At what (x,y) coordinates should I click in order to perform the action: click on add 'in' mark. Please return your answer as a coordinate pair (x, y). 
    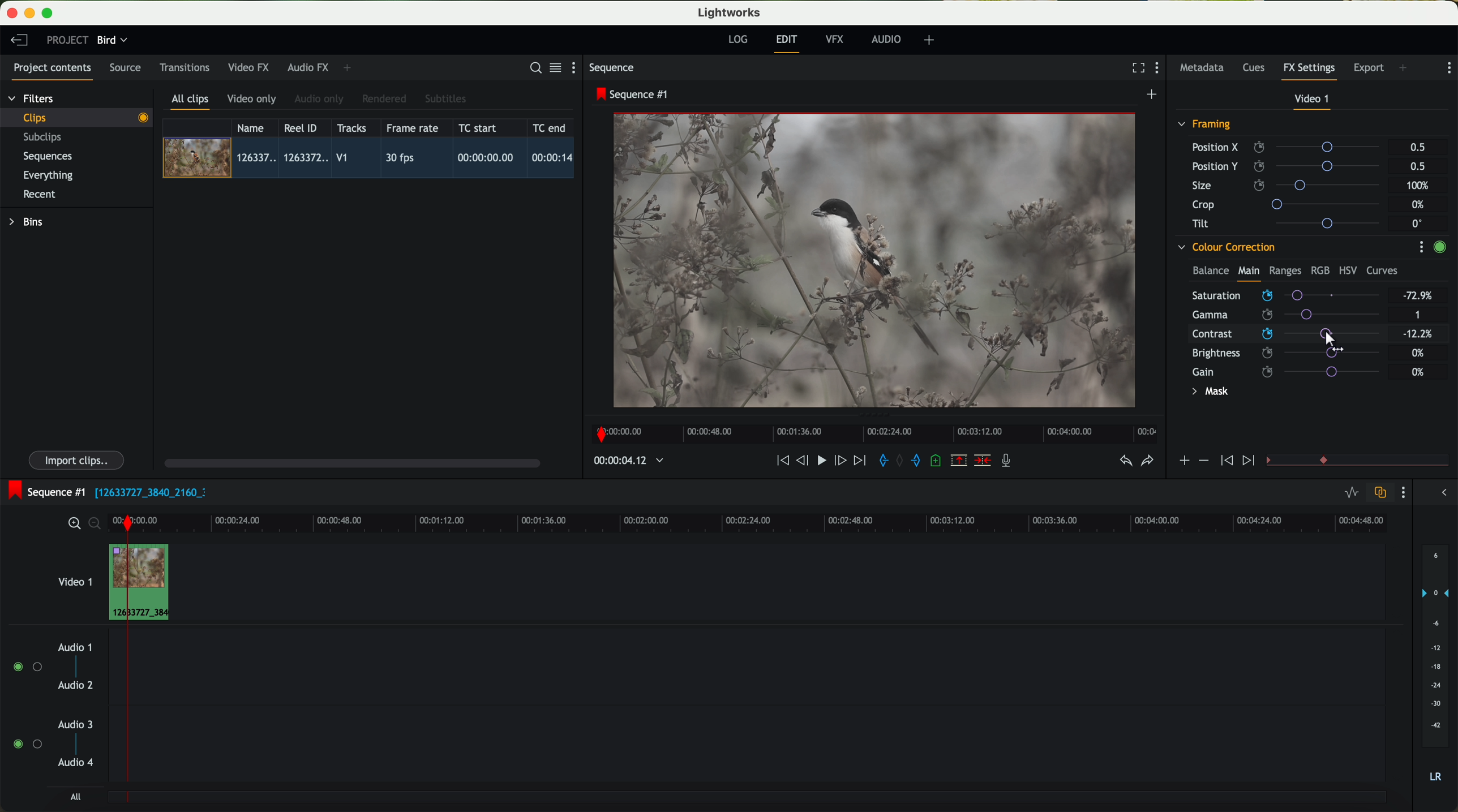
    Looking at the image, I should click on (880, 462).